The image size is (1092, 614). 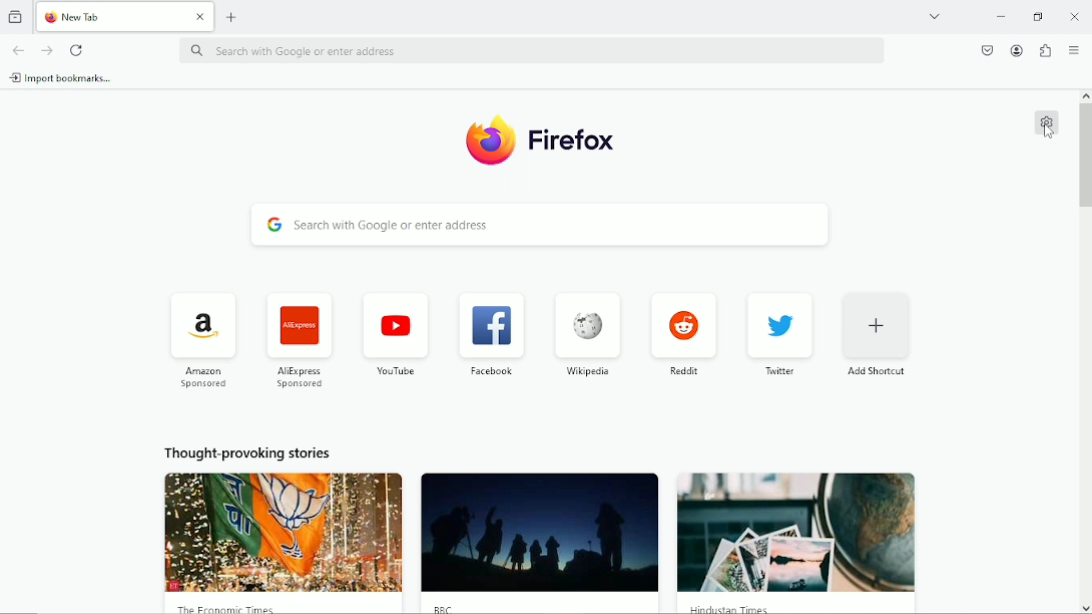 What do you see at coordinates (1049, 134) in the screenshot?
I see `Cursor` at bounding box center [1049, 134].